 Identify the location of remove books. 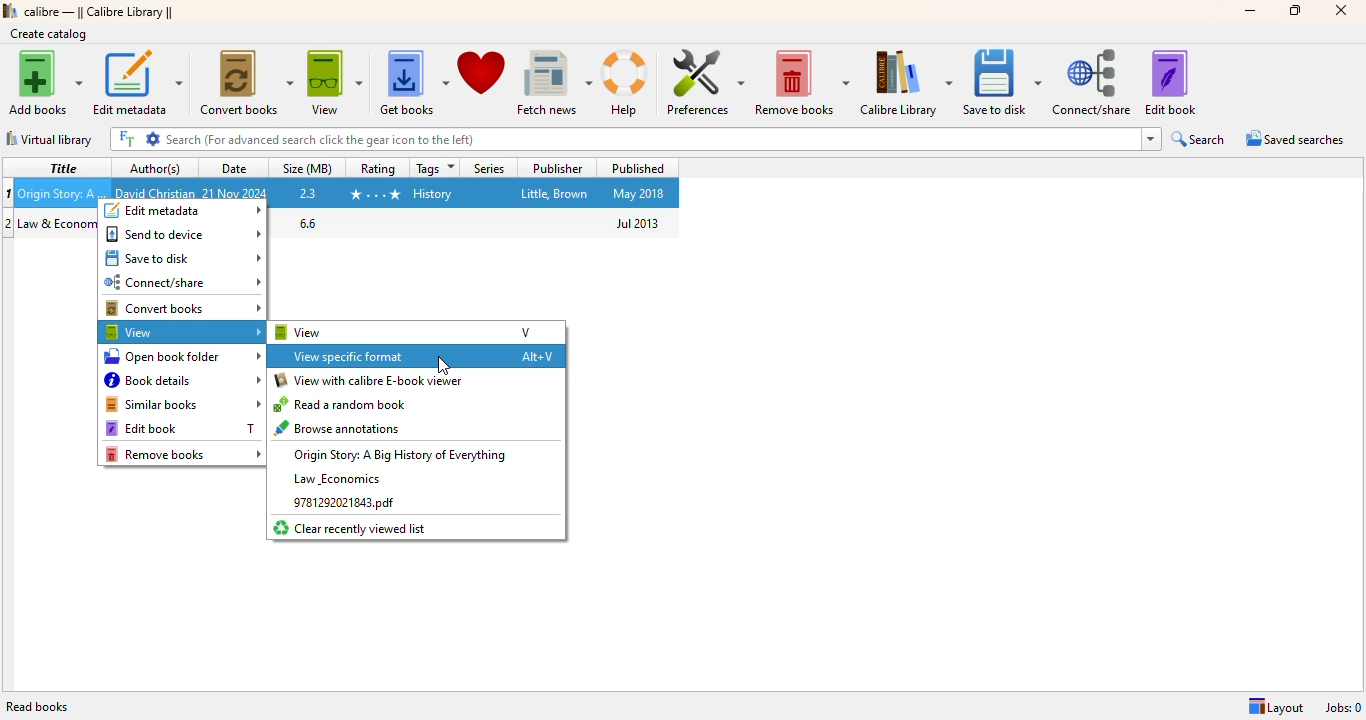
(183, 454).